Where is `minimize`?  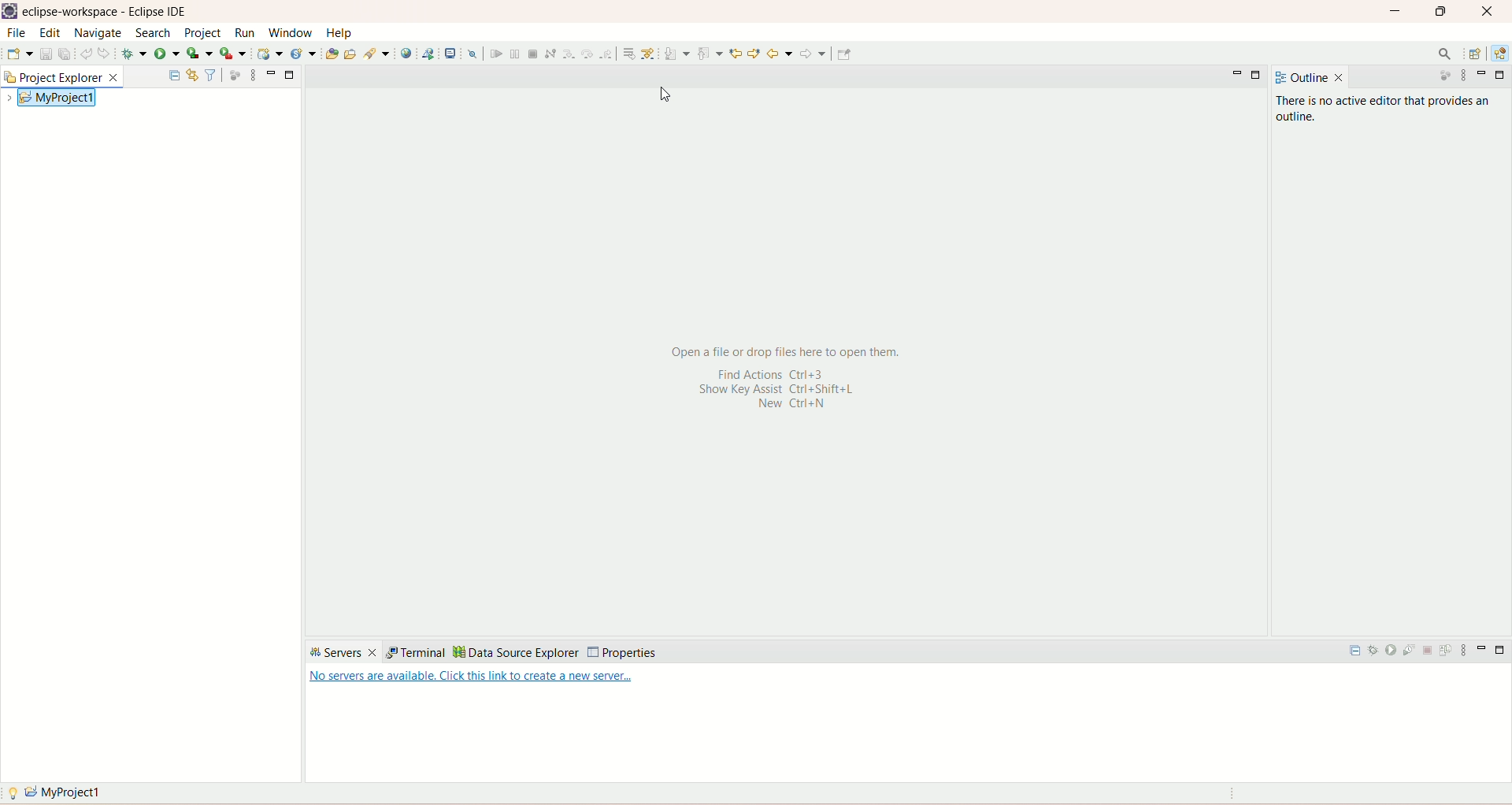
minimize is located at coordinates (1481, 72).